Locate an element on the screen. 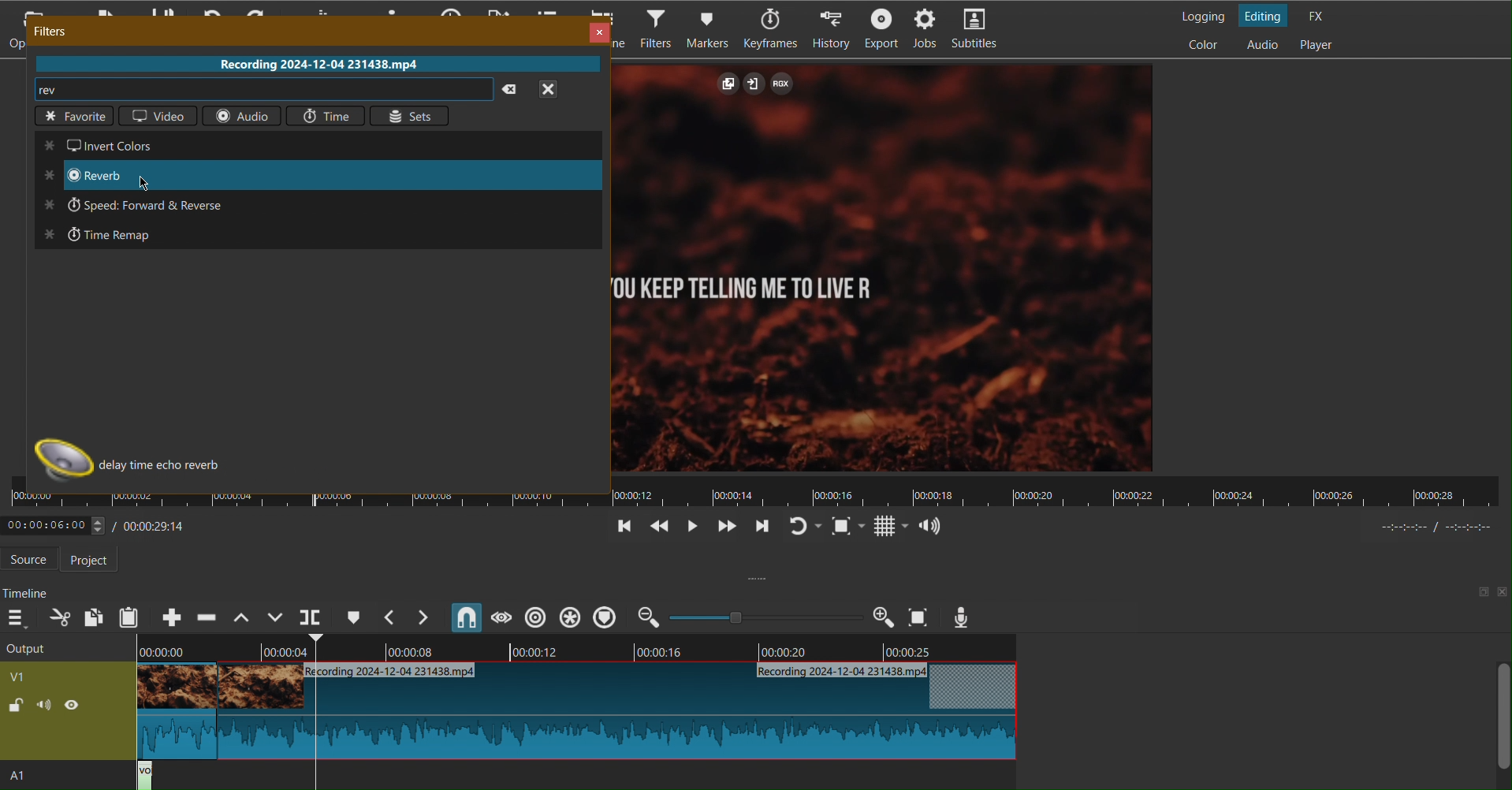 This screenshot has width=1512, height=790. Time Remap is located at coordinates (107, 236).